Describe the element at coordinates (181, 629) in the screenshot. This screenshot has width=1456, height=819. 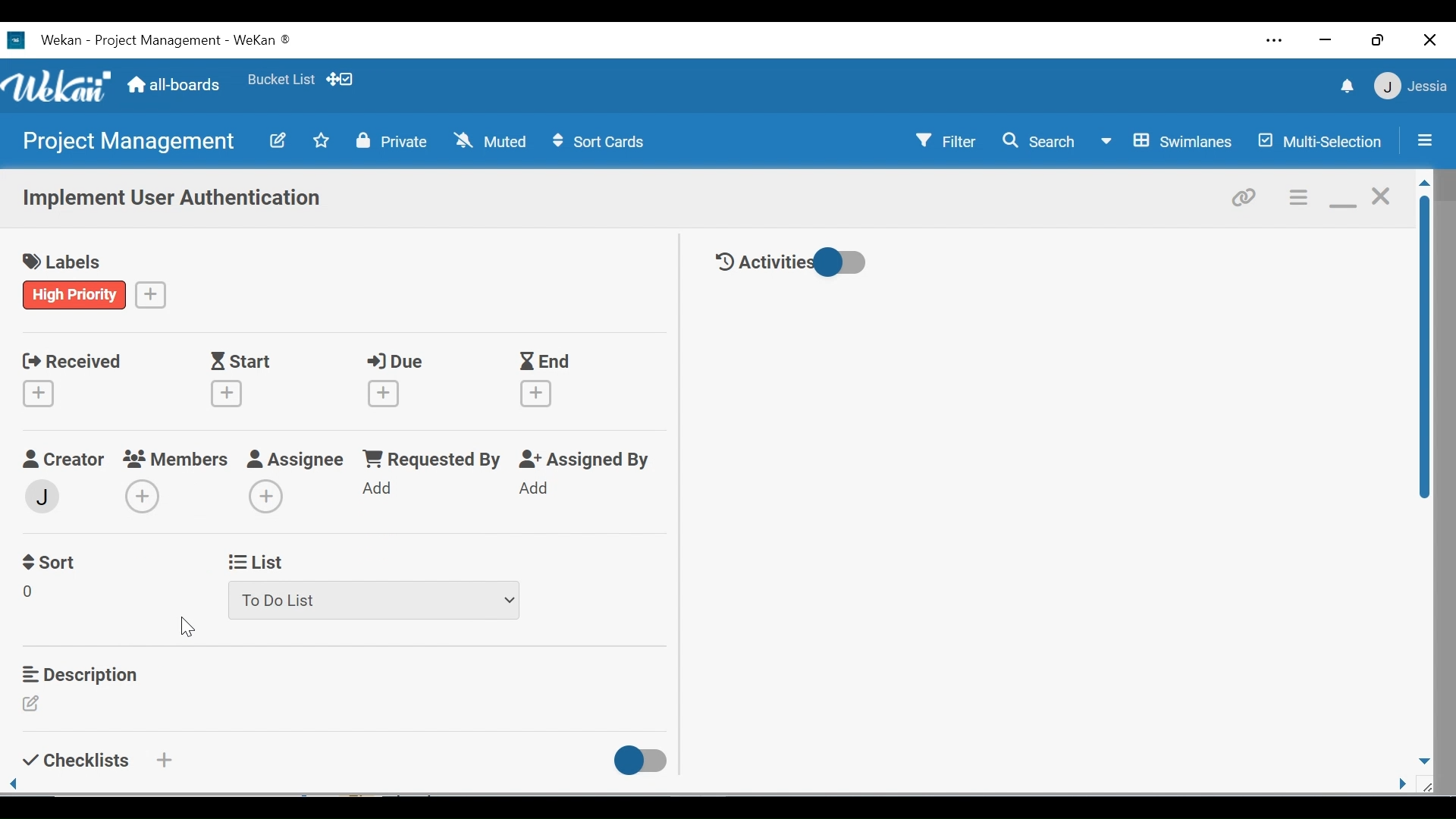
I see `cursor` at that location.